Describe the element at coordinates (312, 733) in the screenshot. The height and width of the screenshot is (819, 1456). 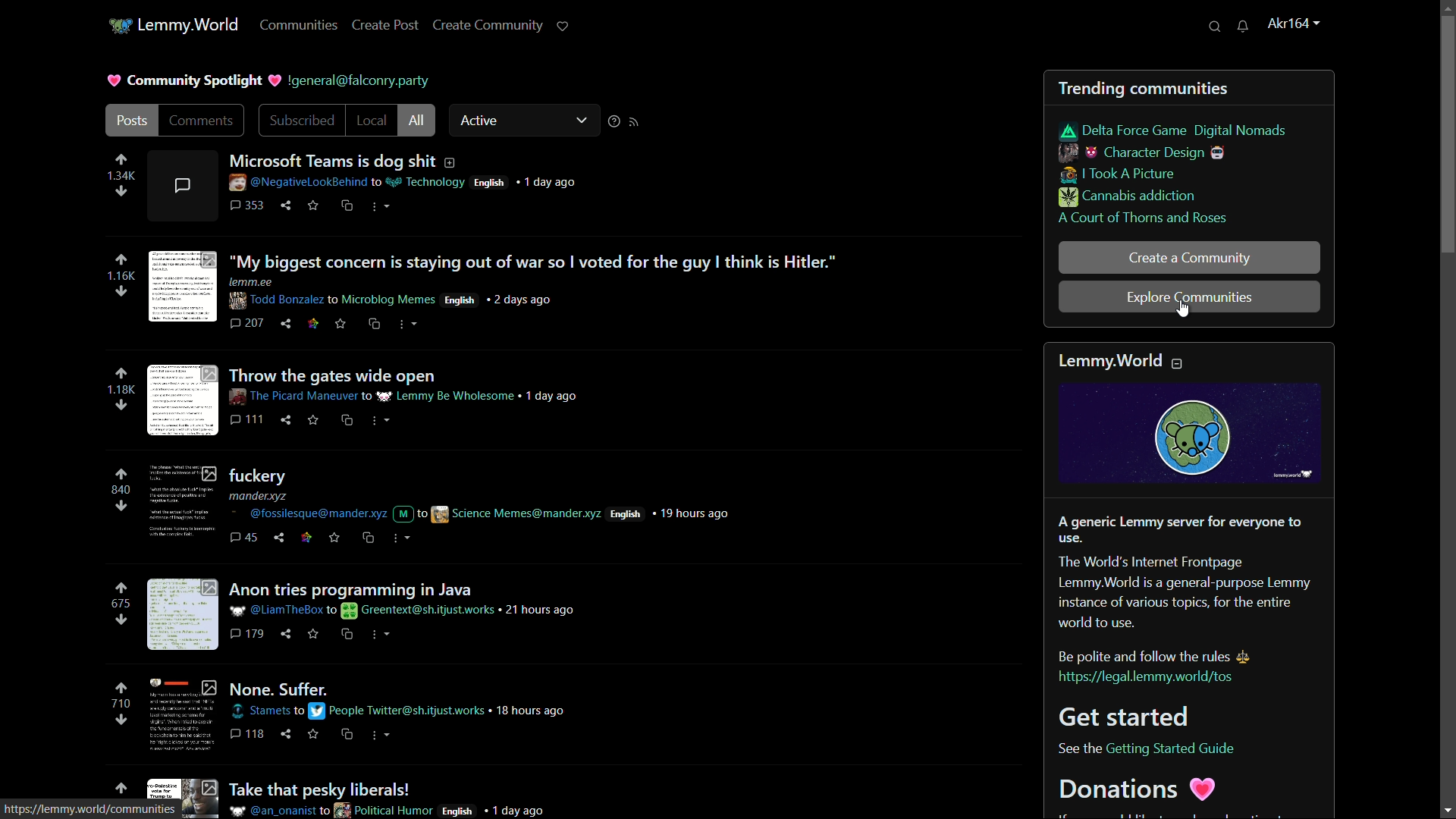
I see `save` at that location.